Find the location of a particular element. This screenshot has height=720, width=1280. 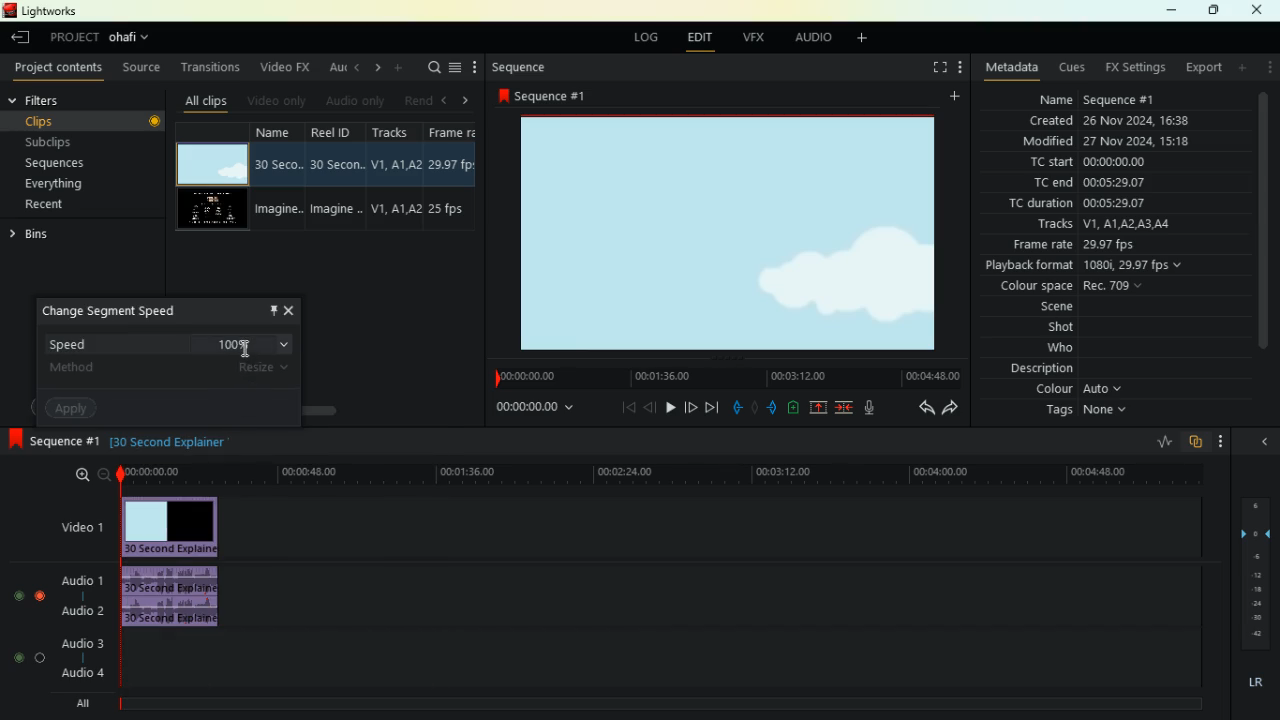

created is located at coordinates (1111, 120).